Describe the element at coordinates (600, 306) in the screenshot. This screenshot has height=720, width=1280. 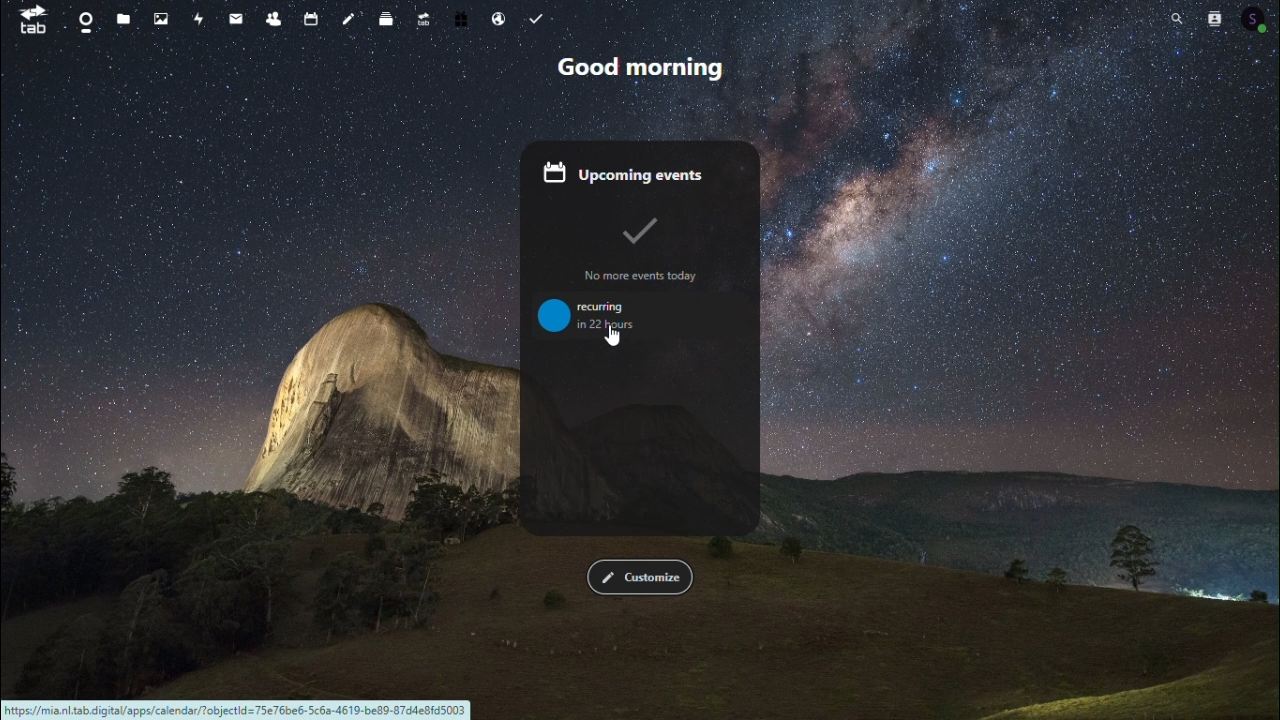
I see `recurring` at that location.